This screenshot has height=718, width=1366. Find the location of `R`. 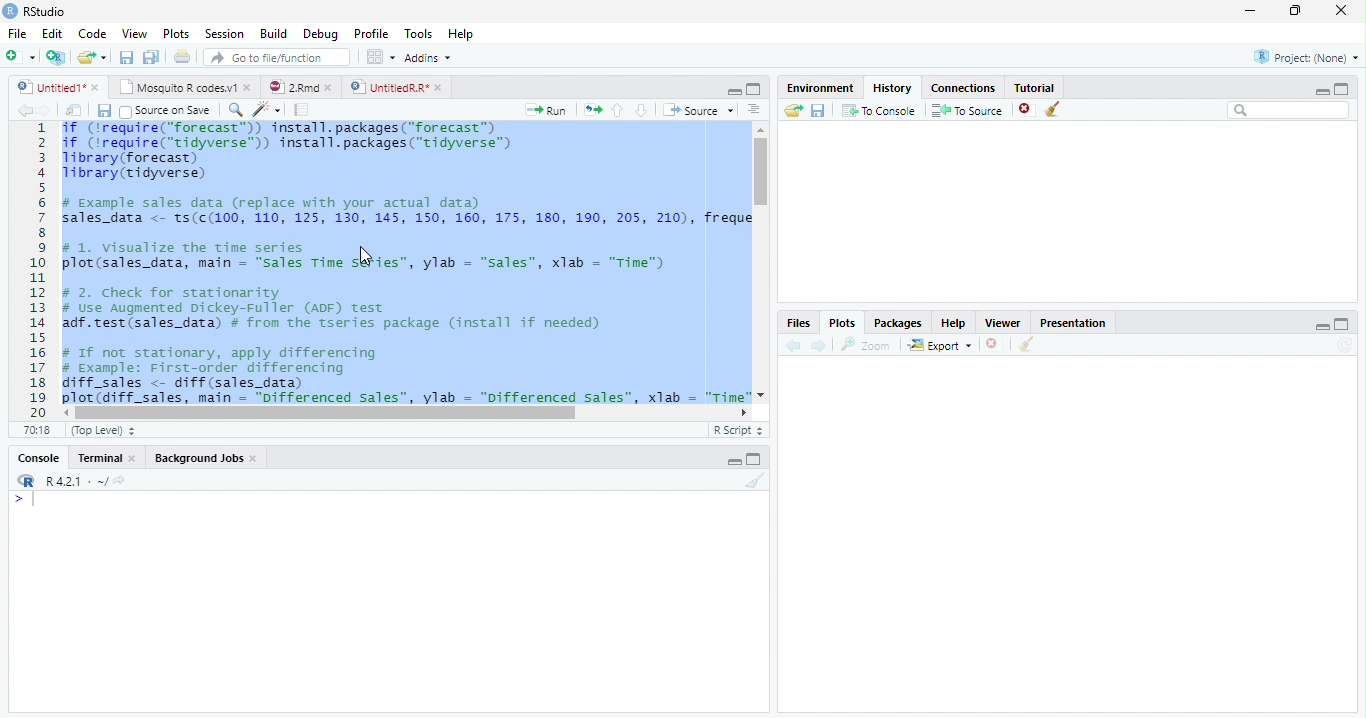

R is located at coordinates (26, 481).